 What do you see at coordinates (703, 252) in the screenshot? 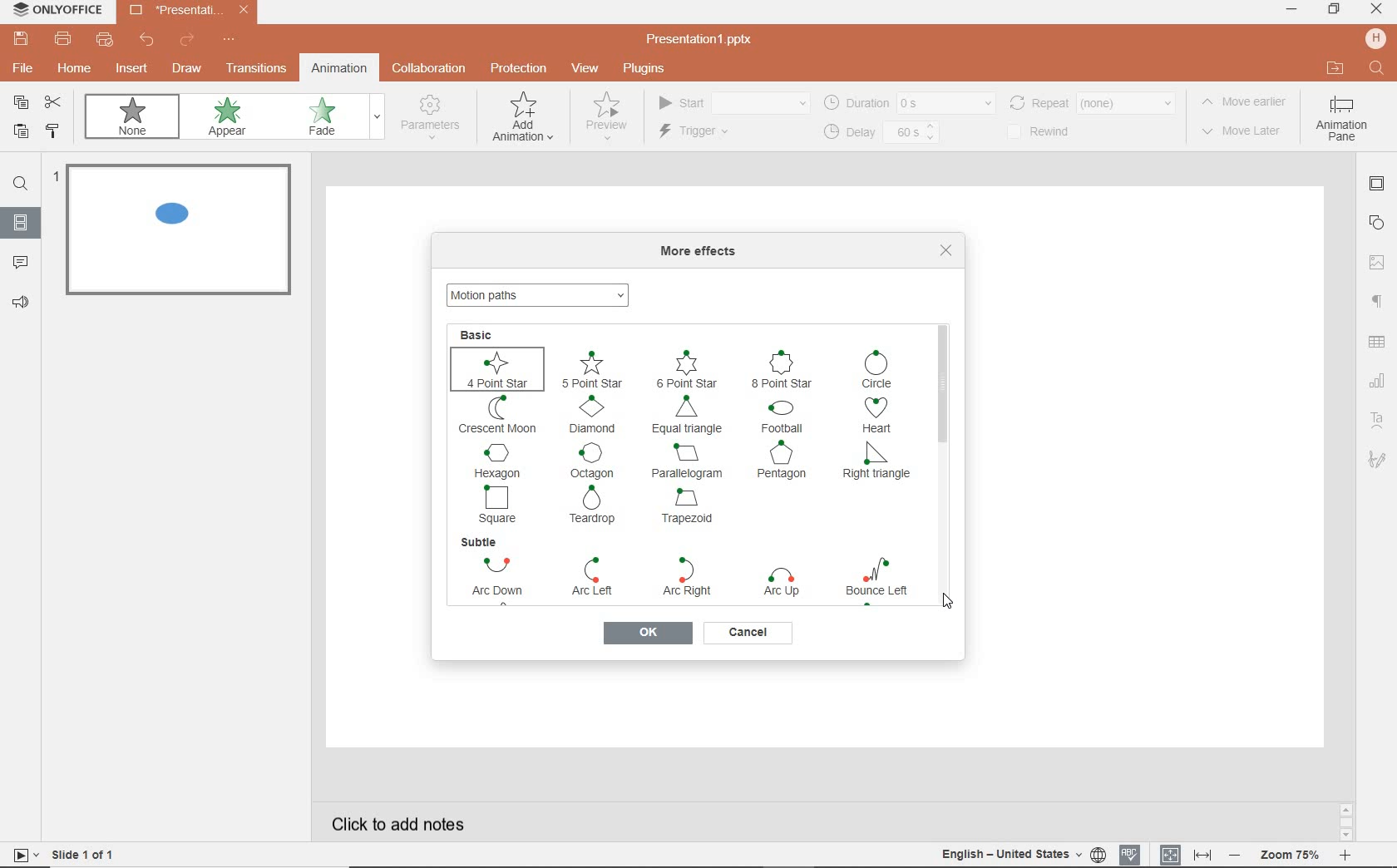
I see `MORE EFFECTS` at bounding box center [703, 252].